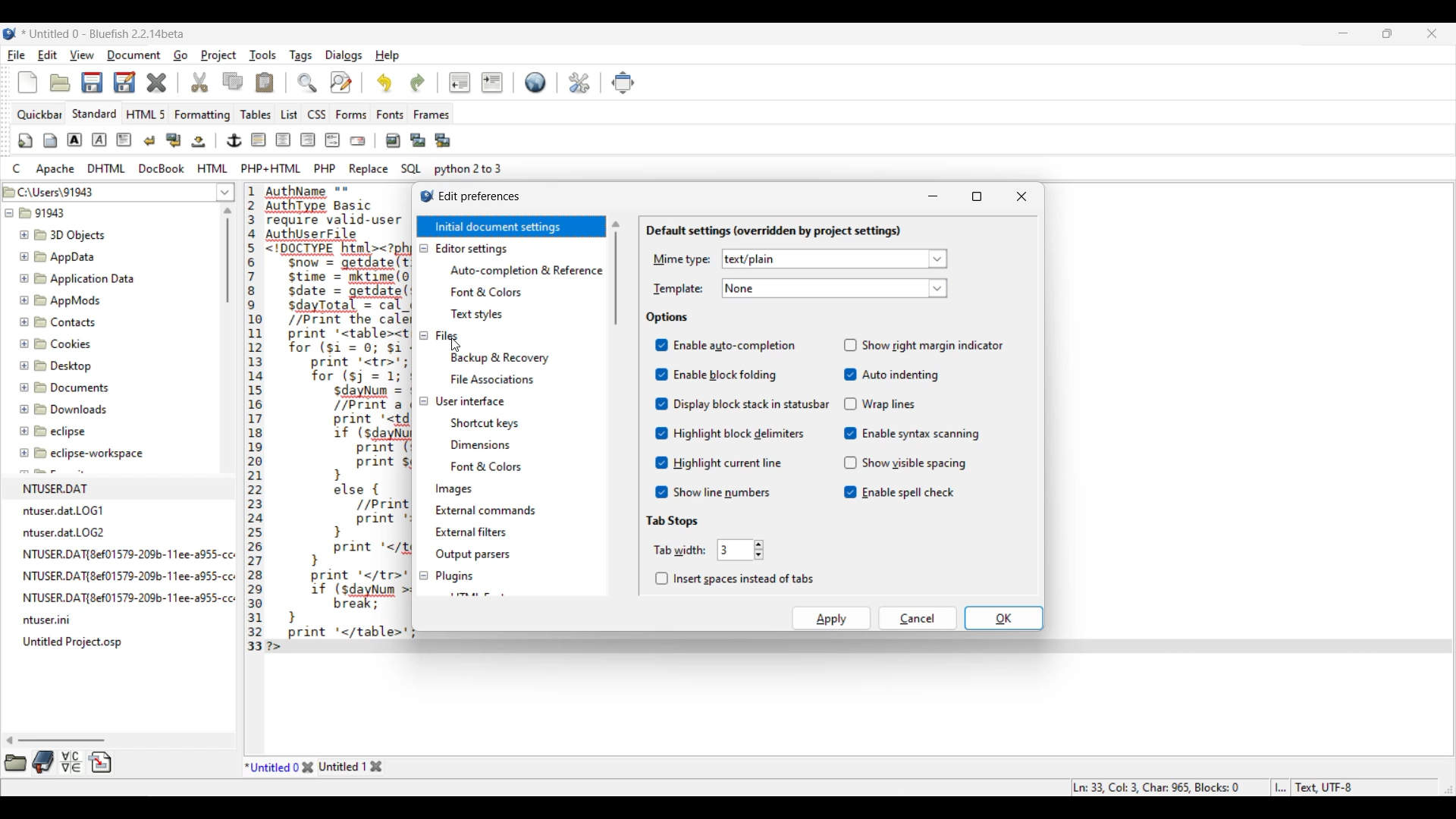  I want to click on Tags menu, so click(300, 56).